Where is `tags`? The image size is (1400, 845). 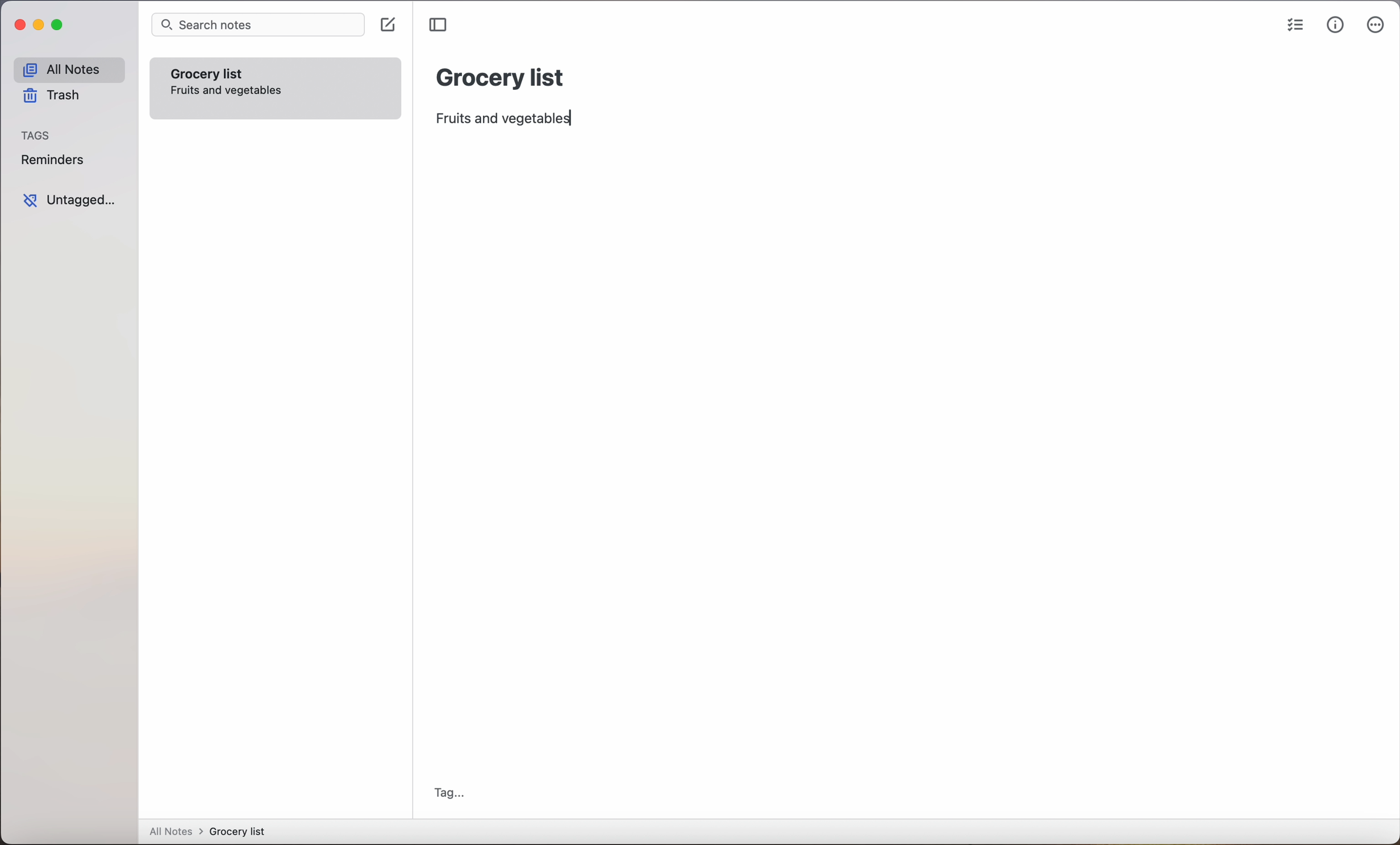
tags is located at coordinates (37, 136).